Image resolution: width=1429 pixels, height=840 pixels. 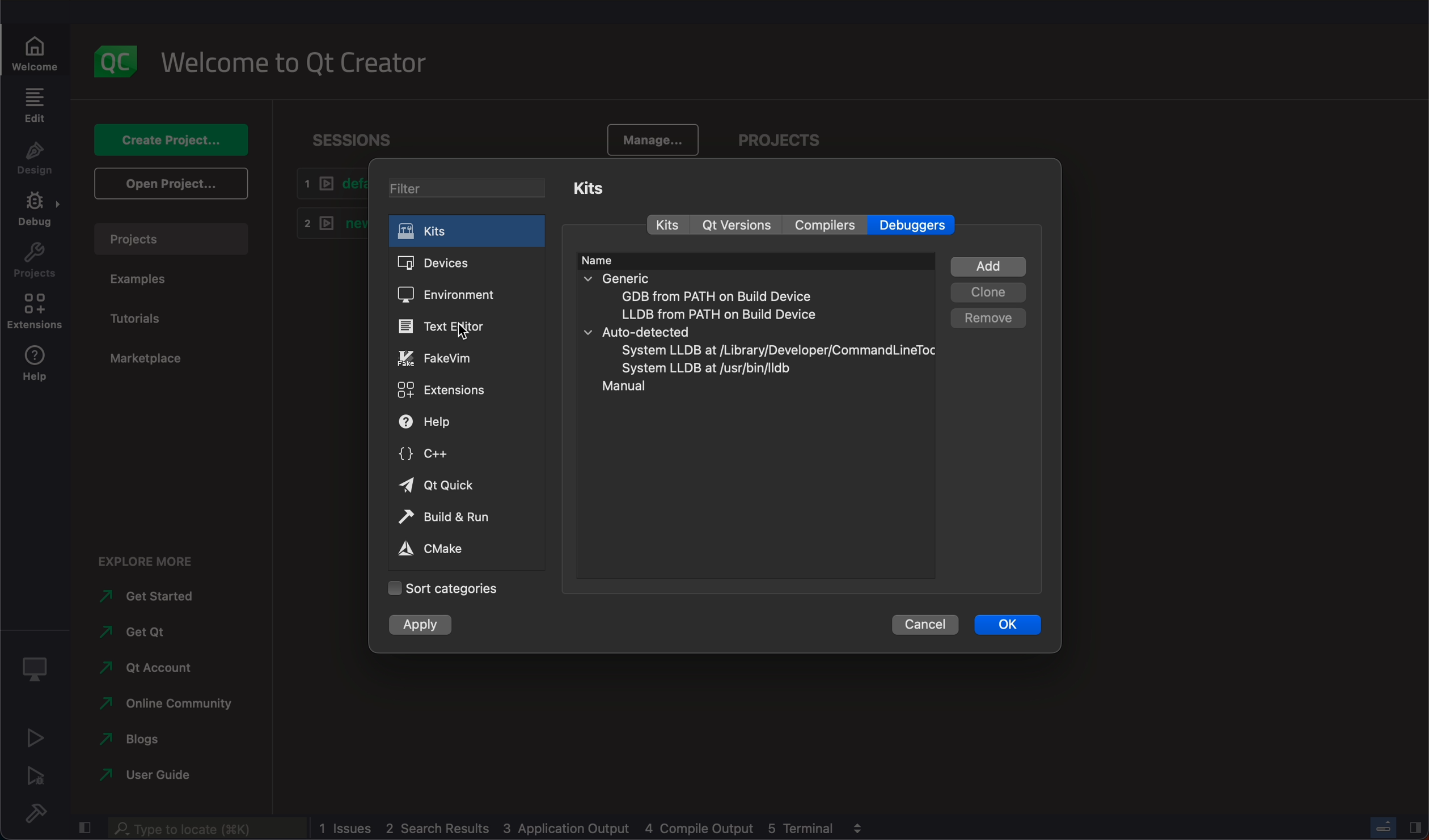 I want to click on explore more, so click(x=150, y=562).